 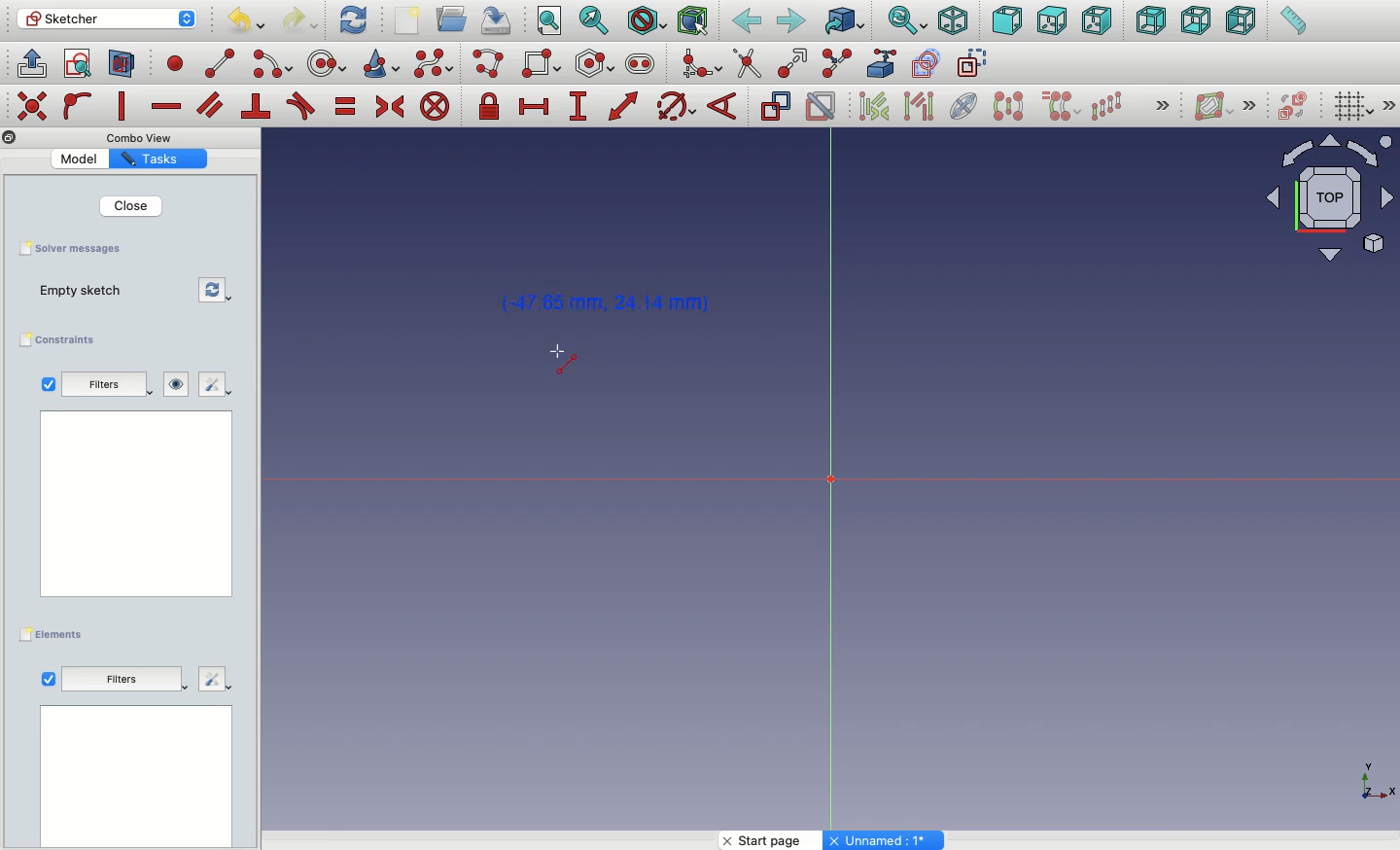 What do you see at coordinates (1050, 22) in the screenshot?
I see `Top` at bounding box center [1050, 22].